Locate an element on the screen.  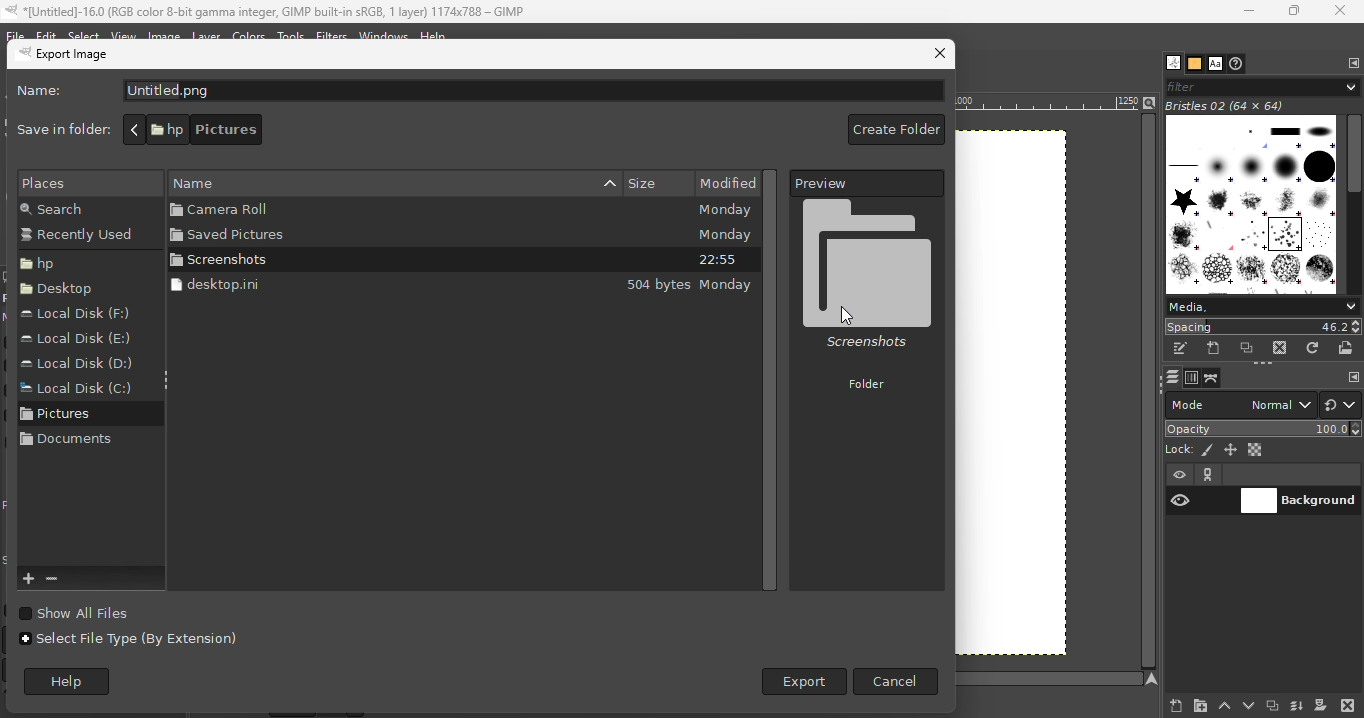
Merge all visible layers with the last used values is located at coordinates (1296, 706).